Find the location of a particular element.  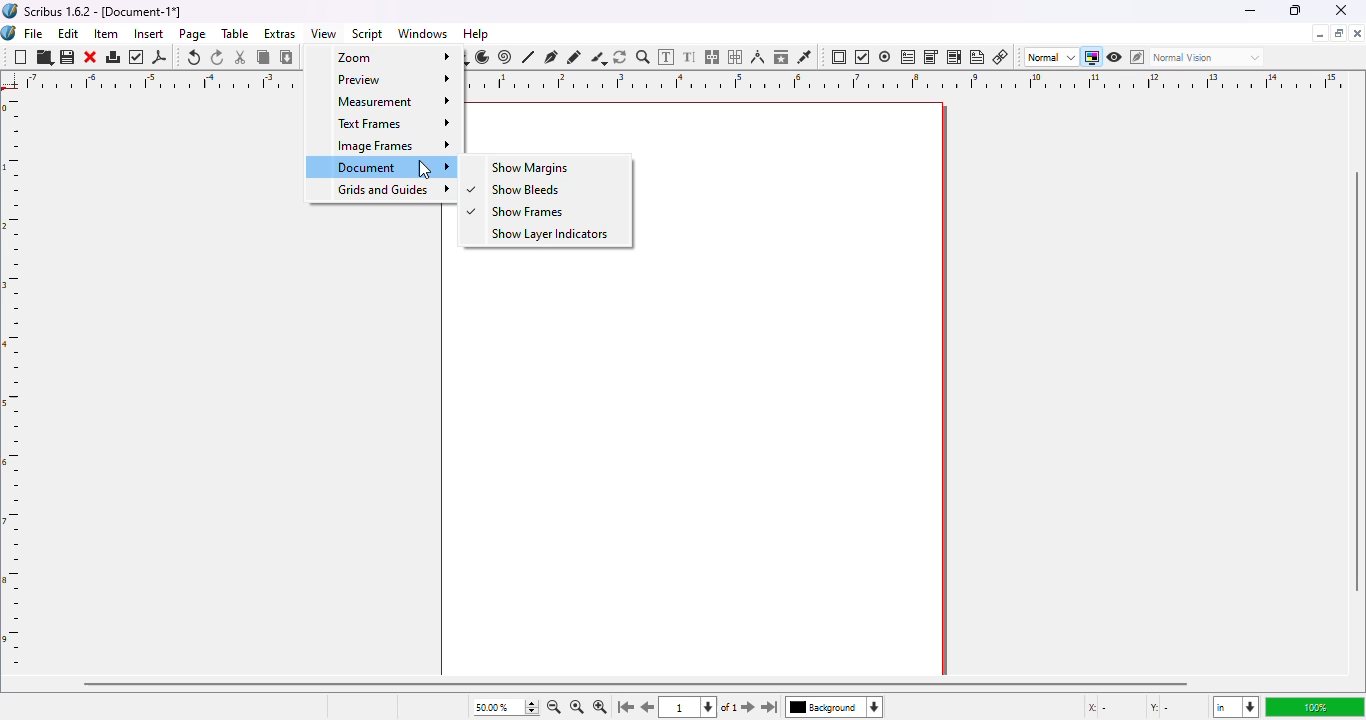

go to the first page is located at coordinates (626, 708).